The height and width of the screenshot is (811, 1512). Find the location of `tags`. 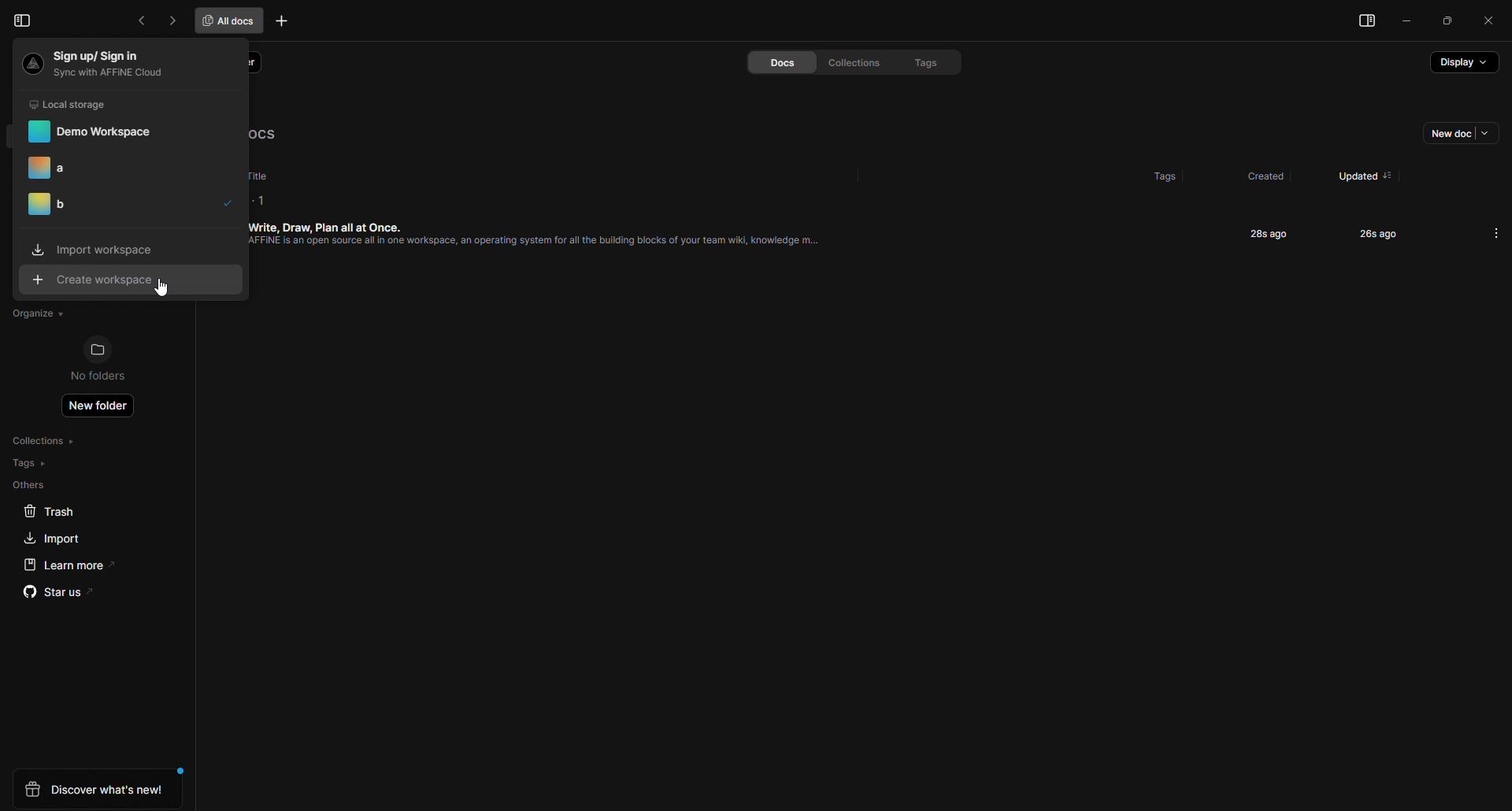

tags is located at coordinates (1149, 172).